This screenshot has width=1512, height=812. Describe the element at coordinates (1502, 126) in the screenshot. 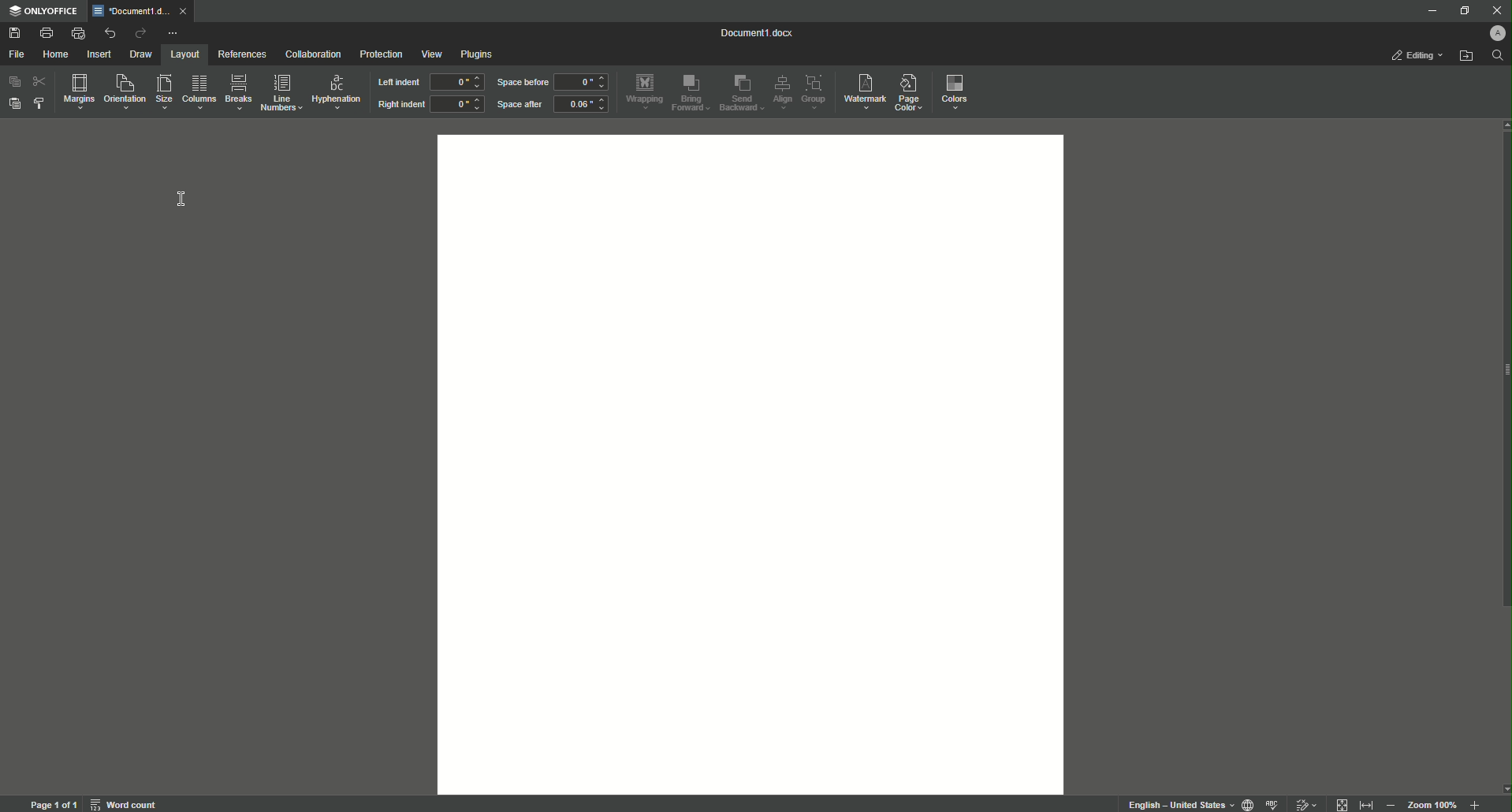

I see `Up` at that location.